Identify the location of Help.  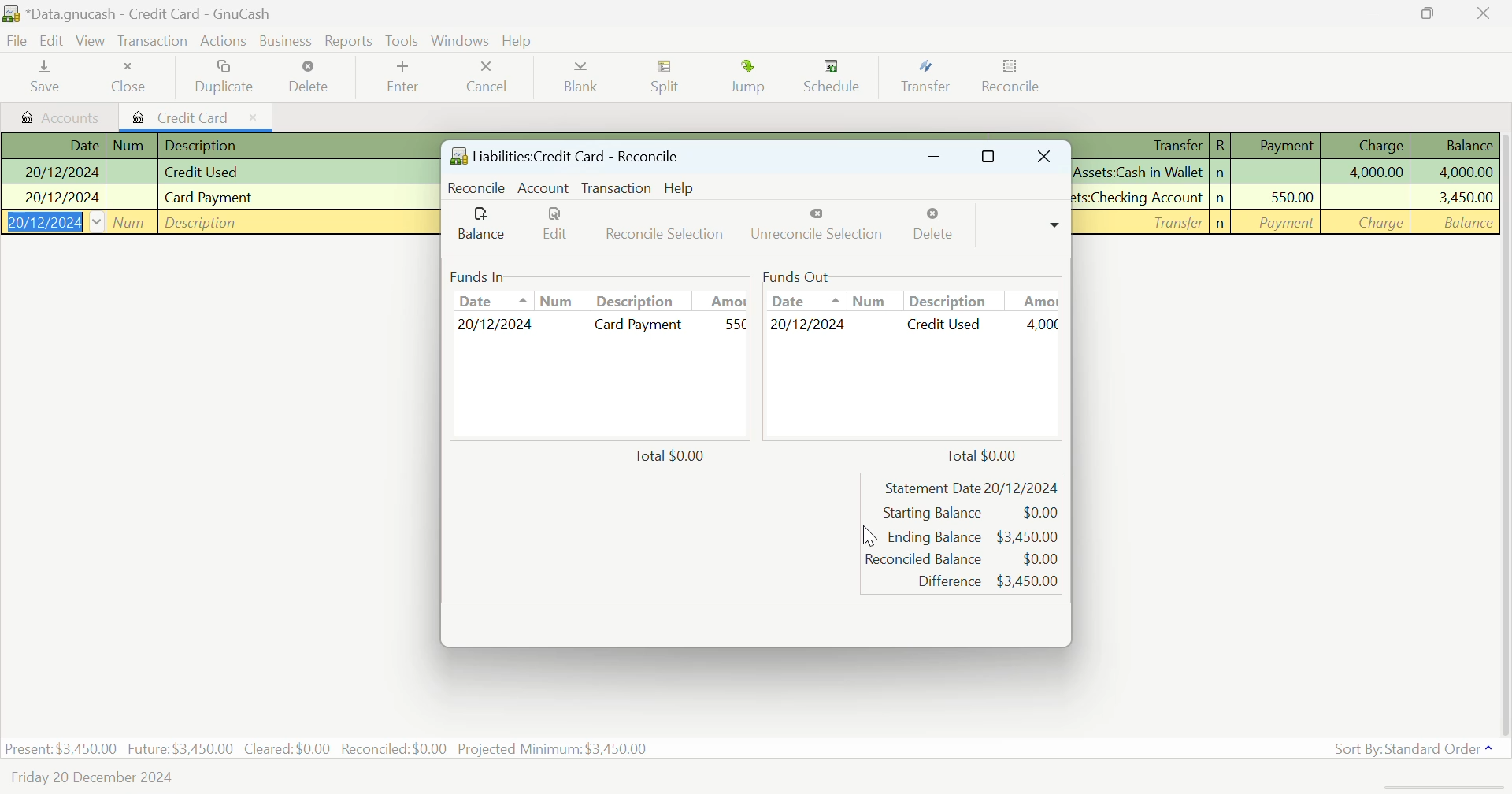
(519, 39).